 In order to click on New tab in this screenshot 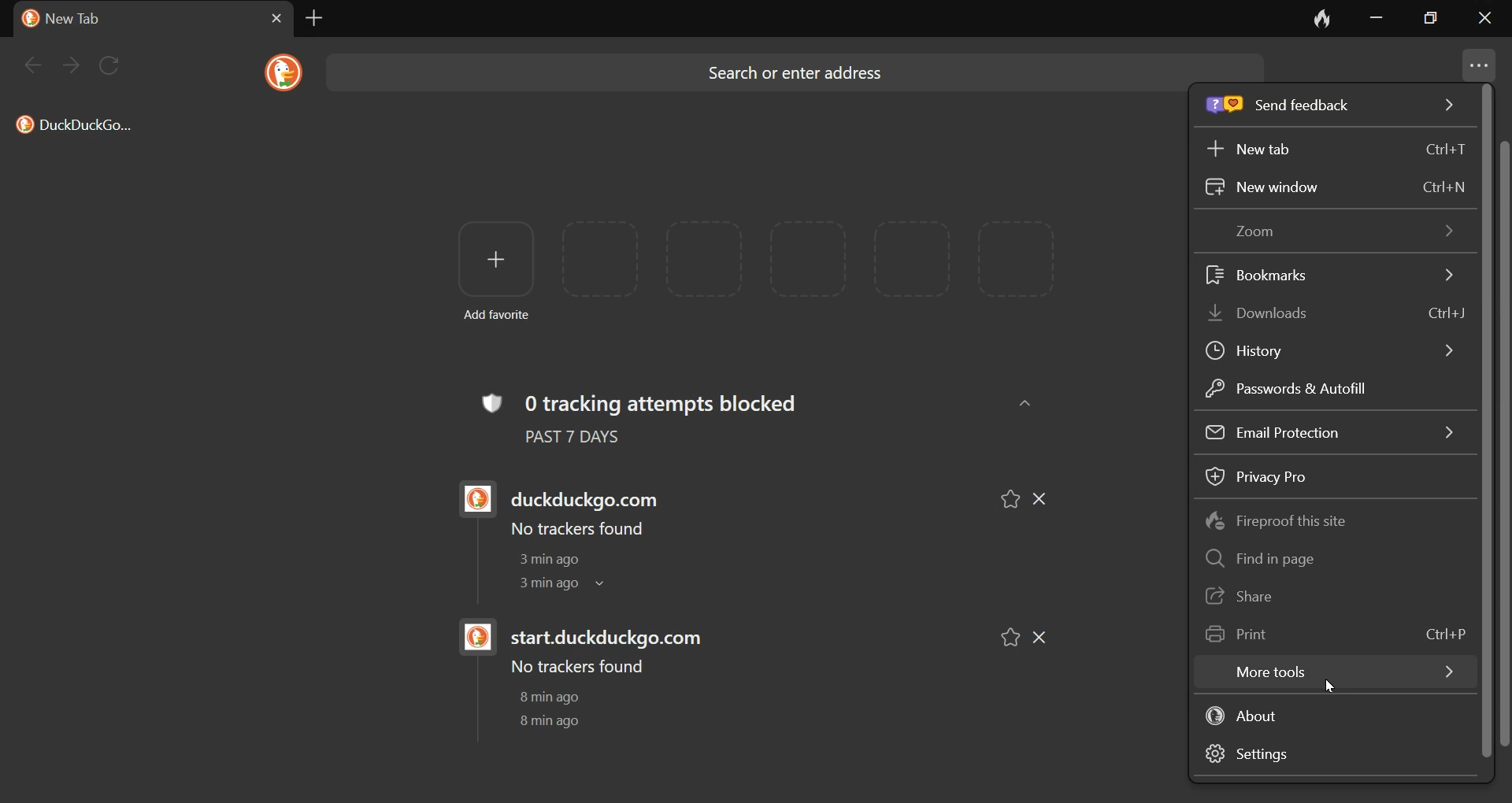, I will do `click(1335, 148)`.